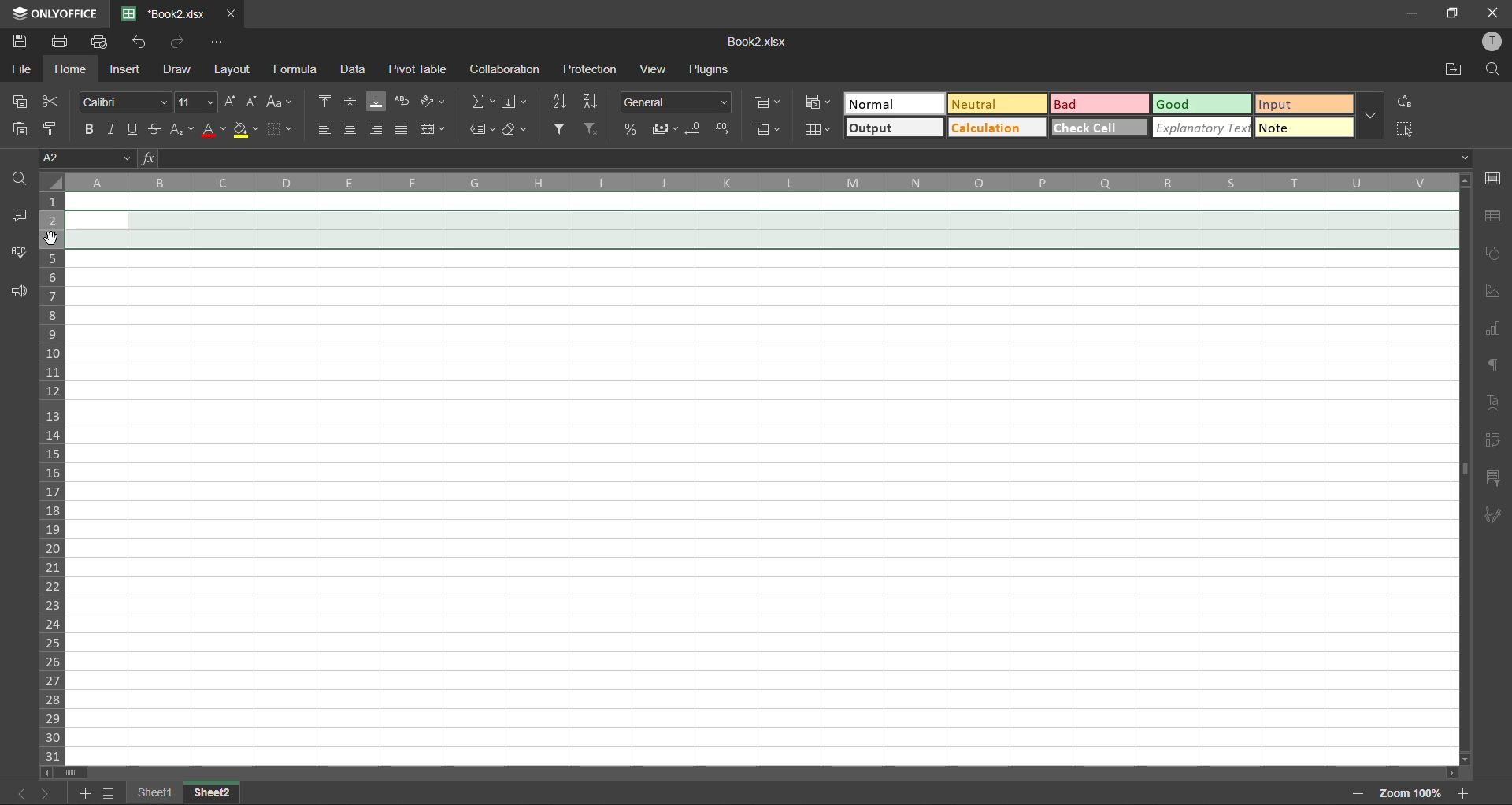 This screenshot has width=1512, height=805. Describe the element at coordinates (1462, 469) in the screenshot. I see `vertical scroll barr` at that location.